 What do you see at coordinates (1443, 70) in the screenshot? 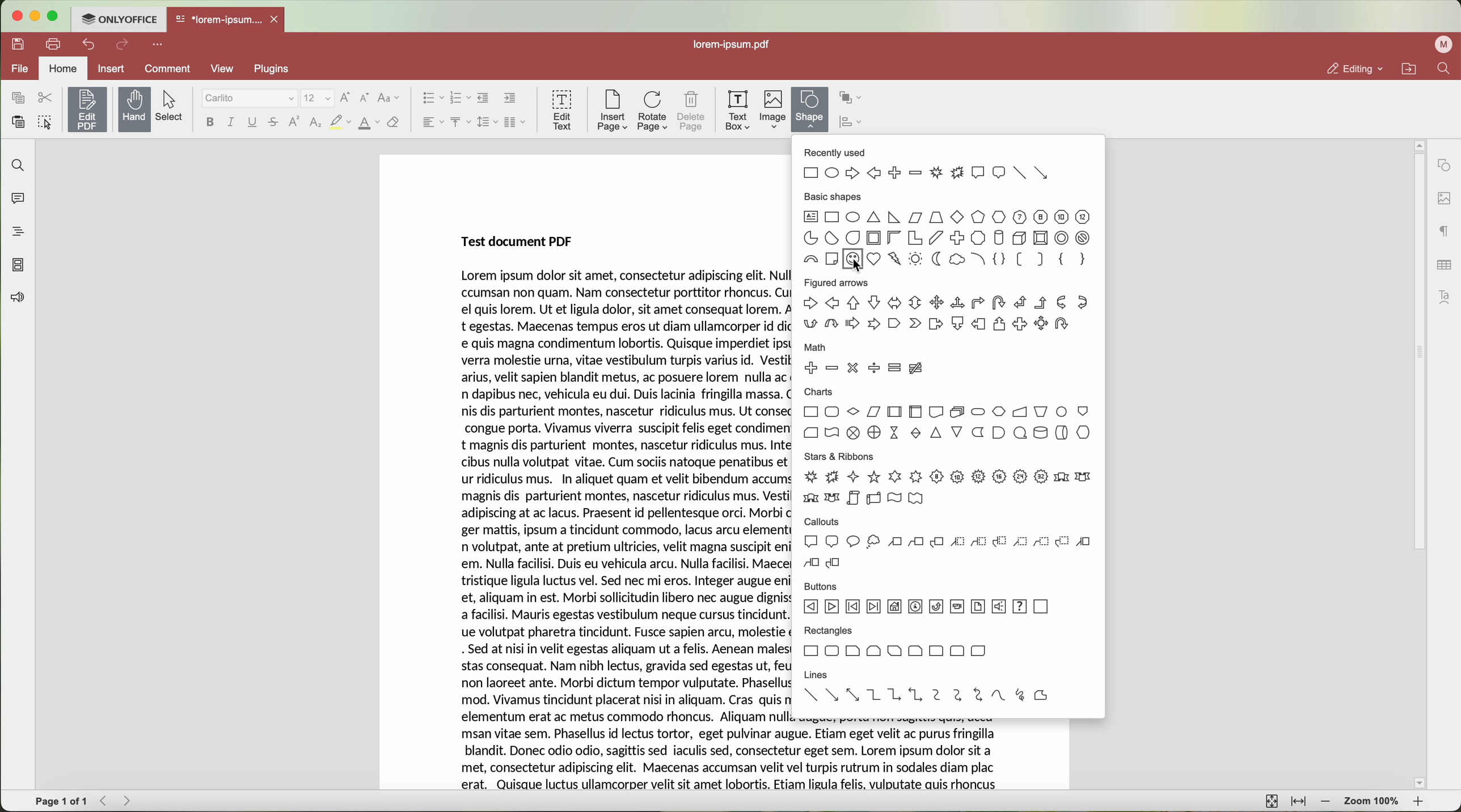
I see `find` at bounding box center [1443, 70].